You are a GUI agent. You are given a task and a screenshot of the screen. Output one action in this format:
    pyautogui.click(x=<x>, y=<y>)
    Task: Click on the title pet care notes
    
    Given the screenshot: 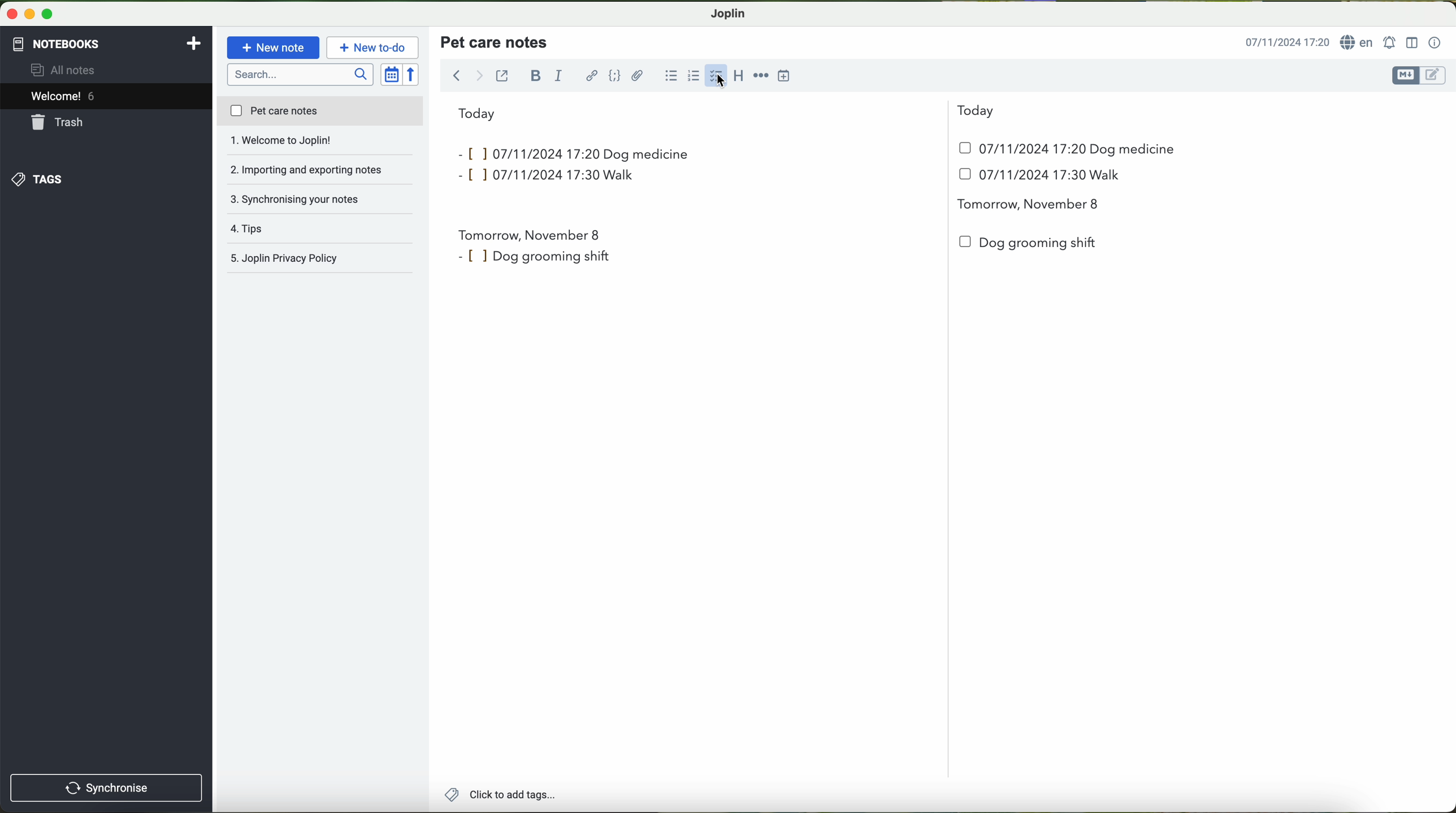 What is the action you would take?
    pyautogui.click(x=496, y=41)
    